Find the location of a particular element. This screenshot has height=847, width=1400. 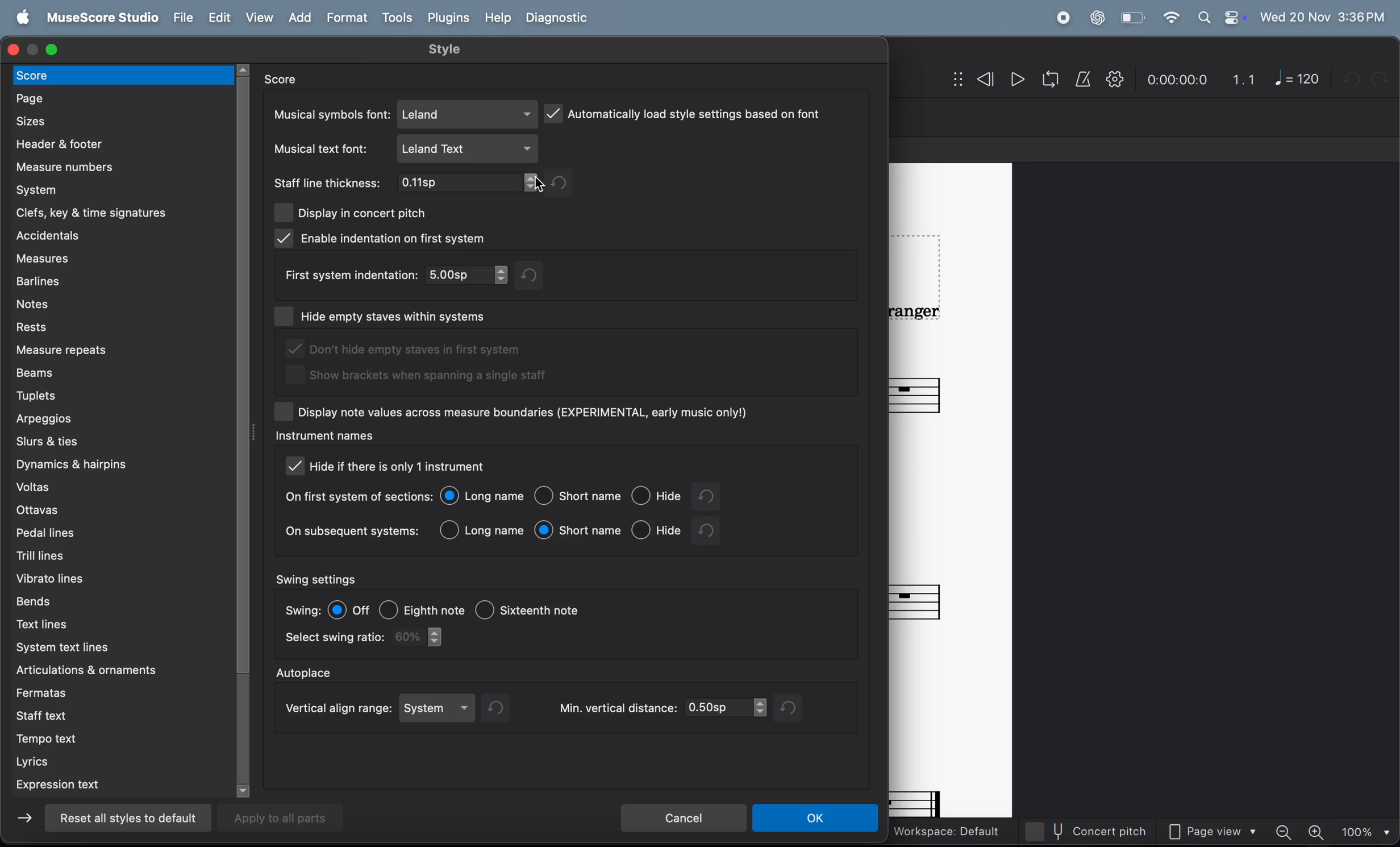

musical text font is located at coordinates (324, 149).